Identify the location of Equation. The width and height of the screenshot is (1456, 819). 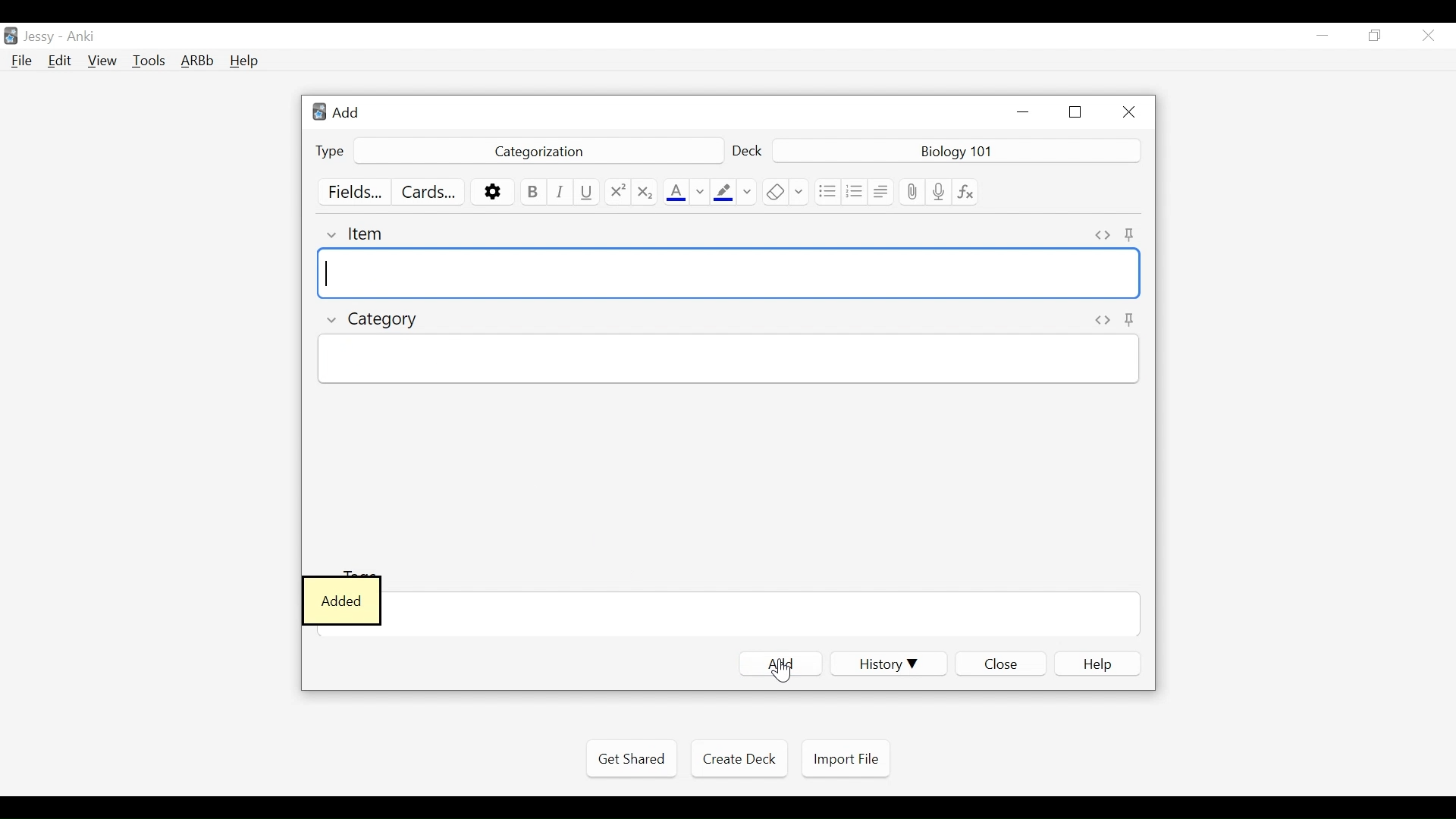
(967, 191).